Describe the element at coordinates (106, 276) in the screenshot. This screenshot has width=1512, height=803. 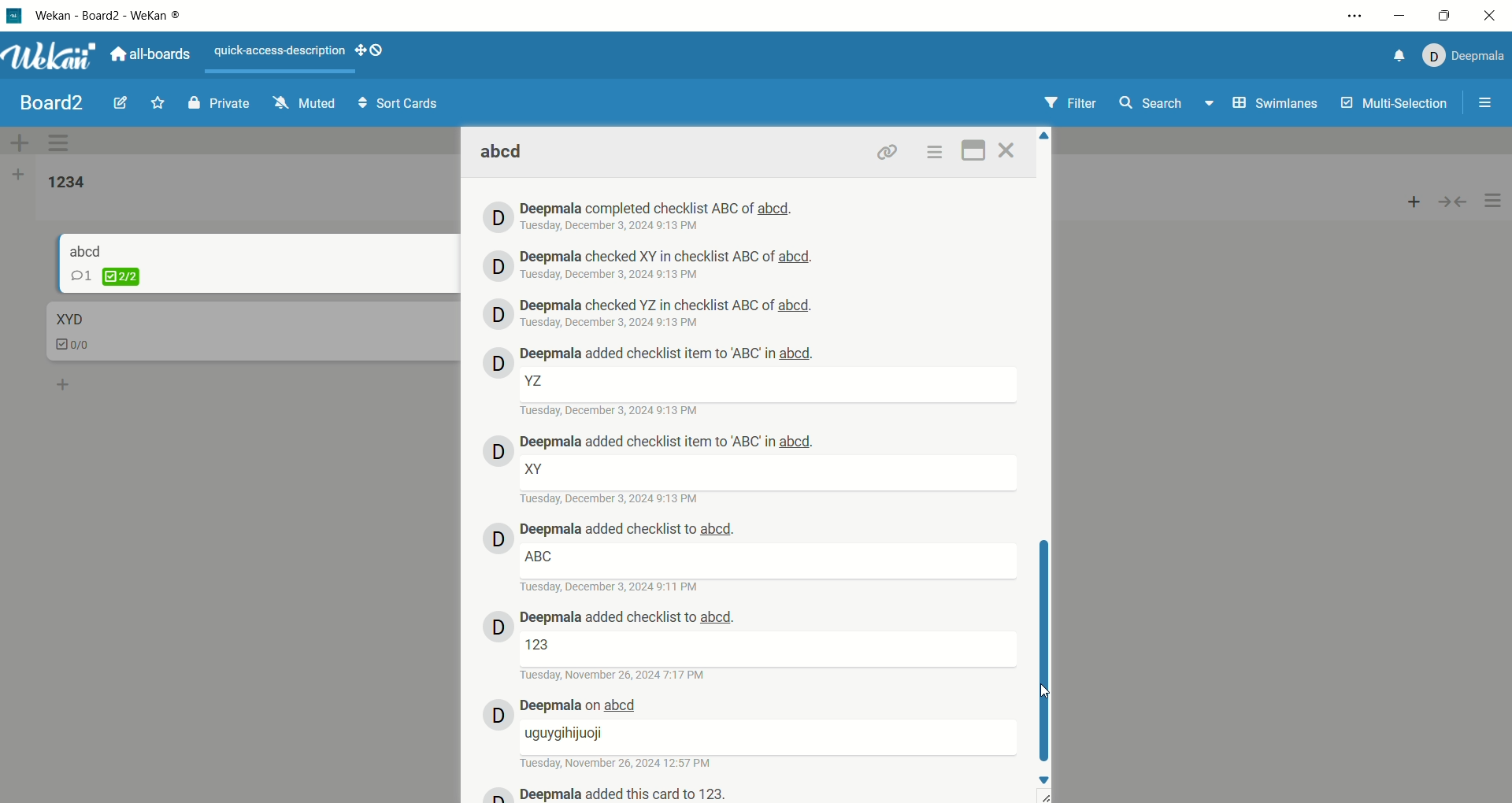
I see `checklist` at that location.